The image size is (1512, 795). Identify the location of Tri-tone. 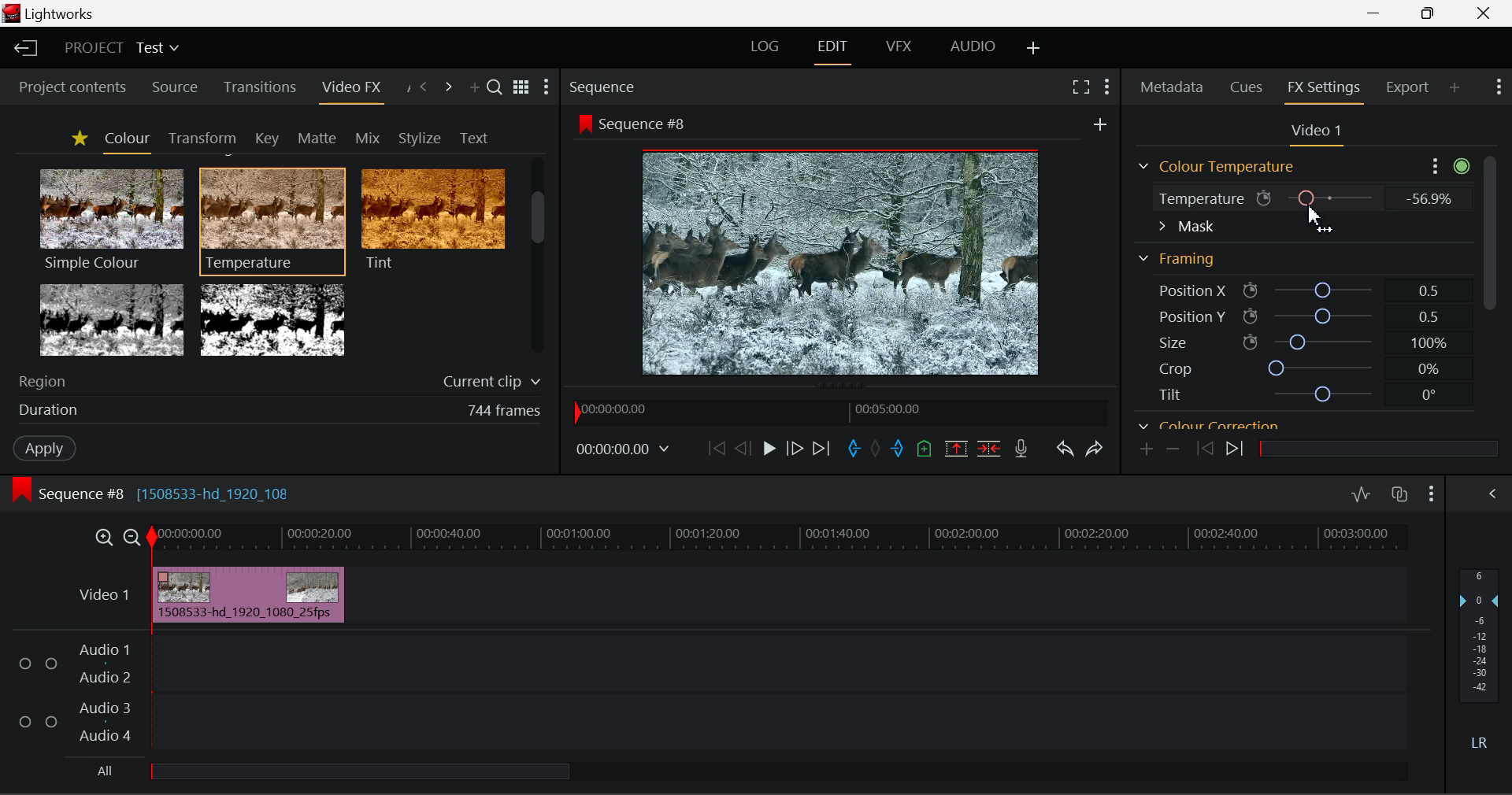
(113, 319).